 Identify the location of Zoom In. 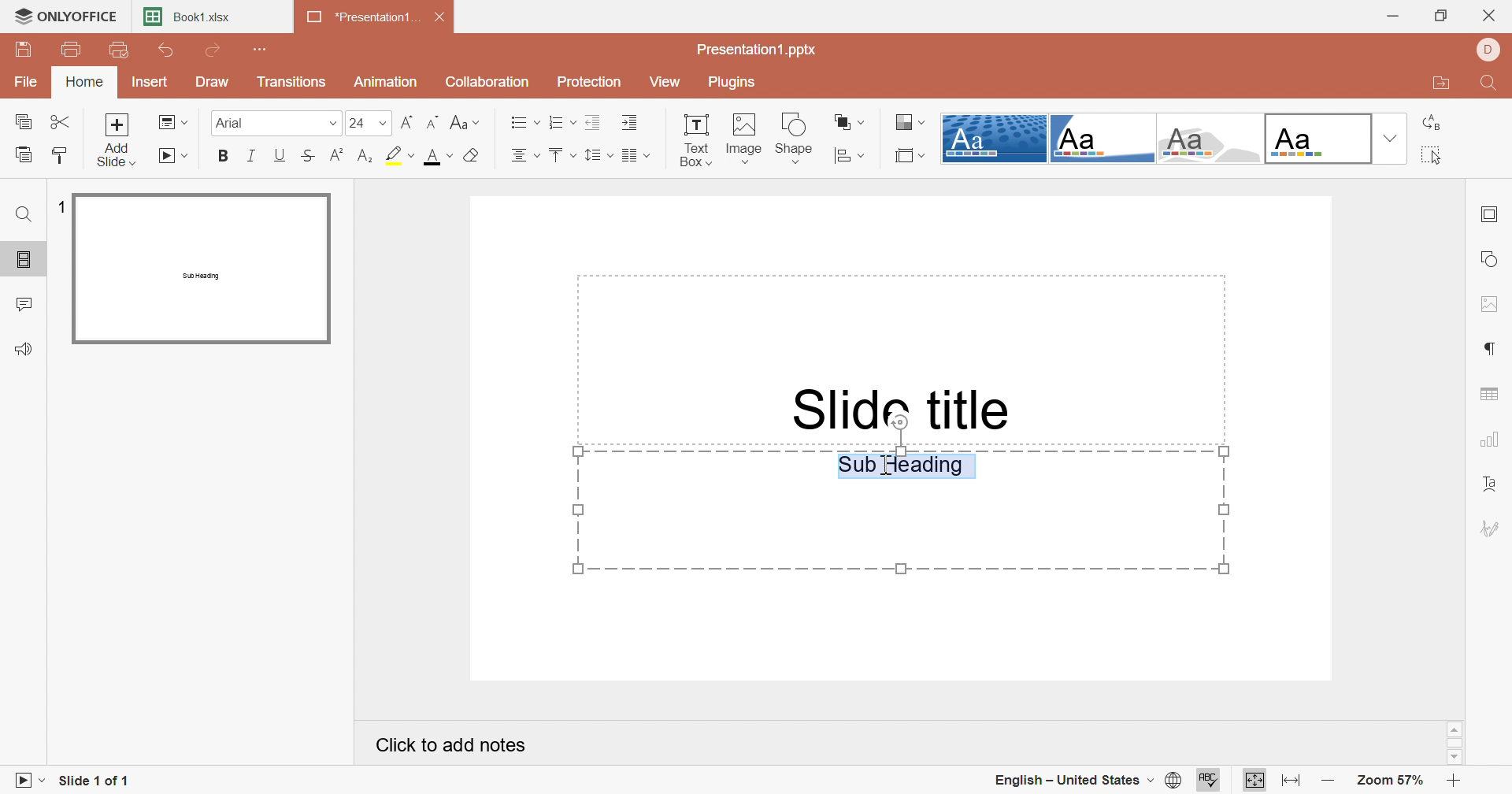
(1451, 780).